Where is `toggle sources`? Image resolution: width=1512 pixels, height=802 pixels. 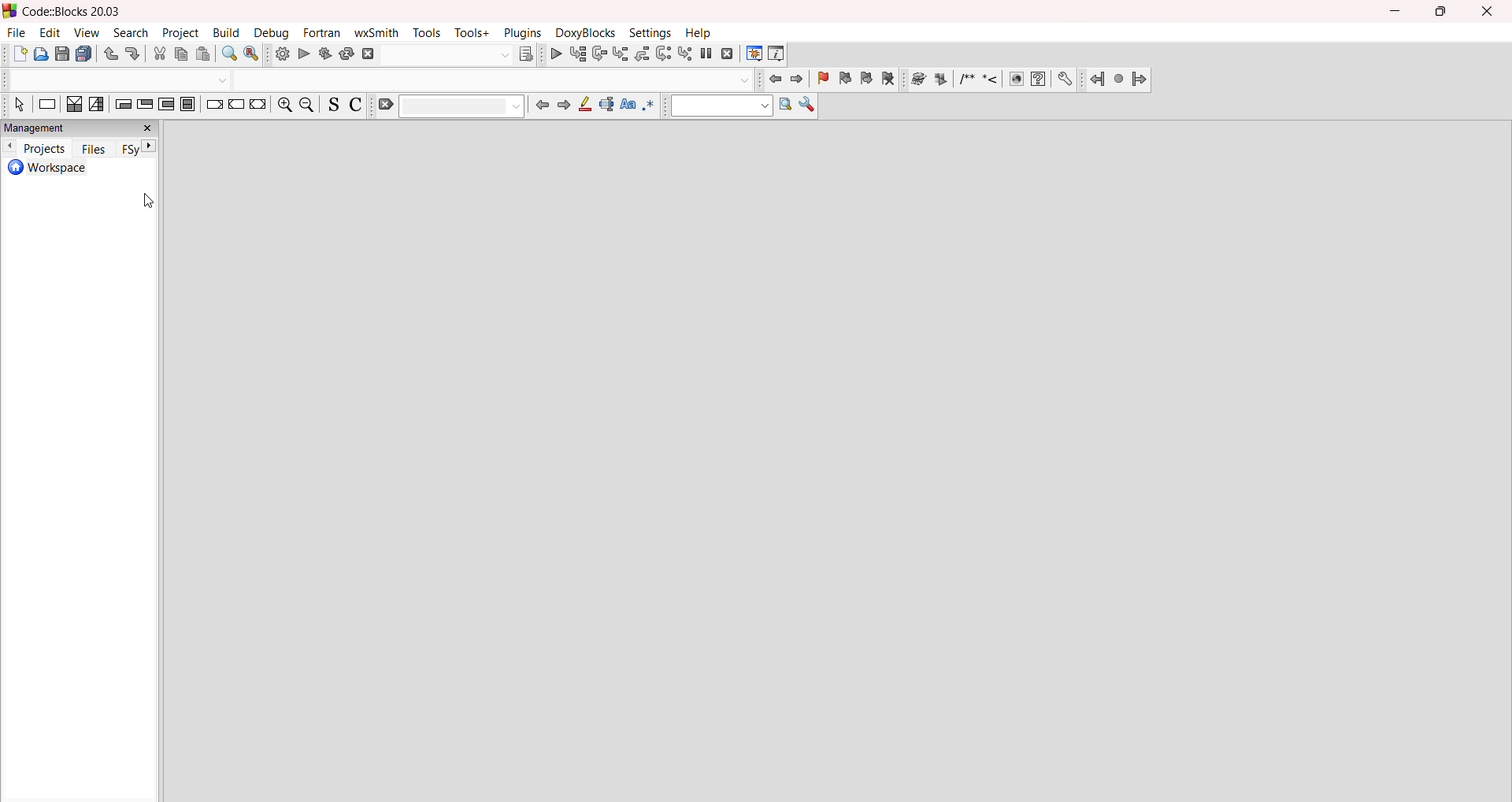
toggle sources is located at coordinates (332, 106).